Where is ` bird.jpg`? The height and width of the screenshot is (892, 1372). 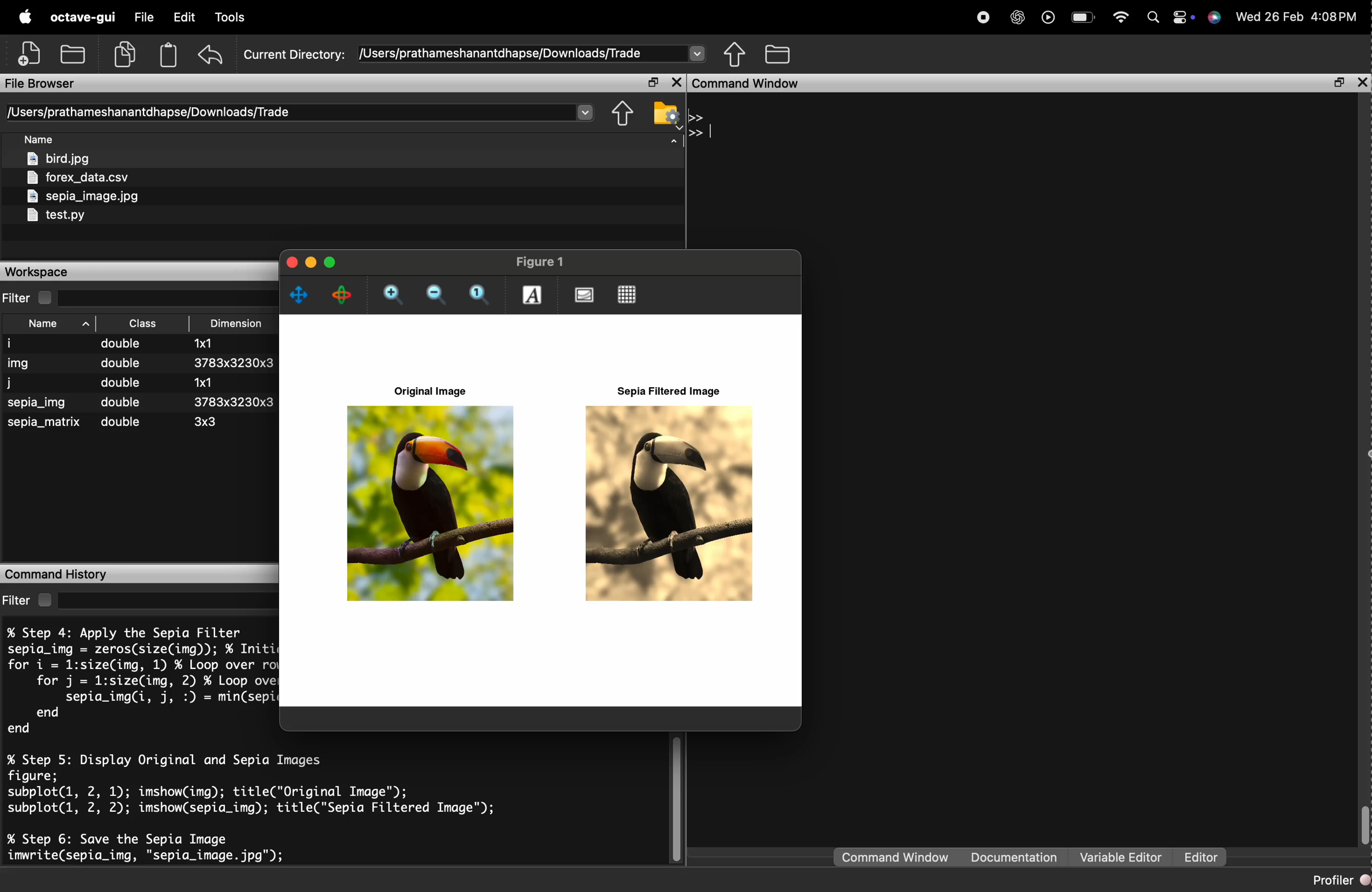  bird.jpg is located at coordinates (58, 157).